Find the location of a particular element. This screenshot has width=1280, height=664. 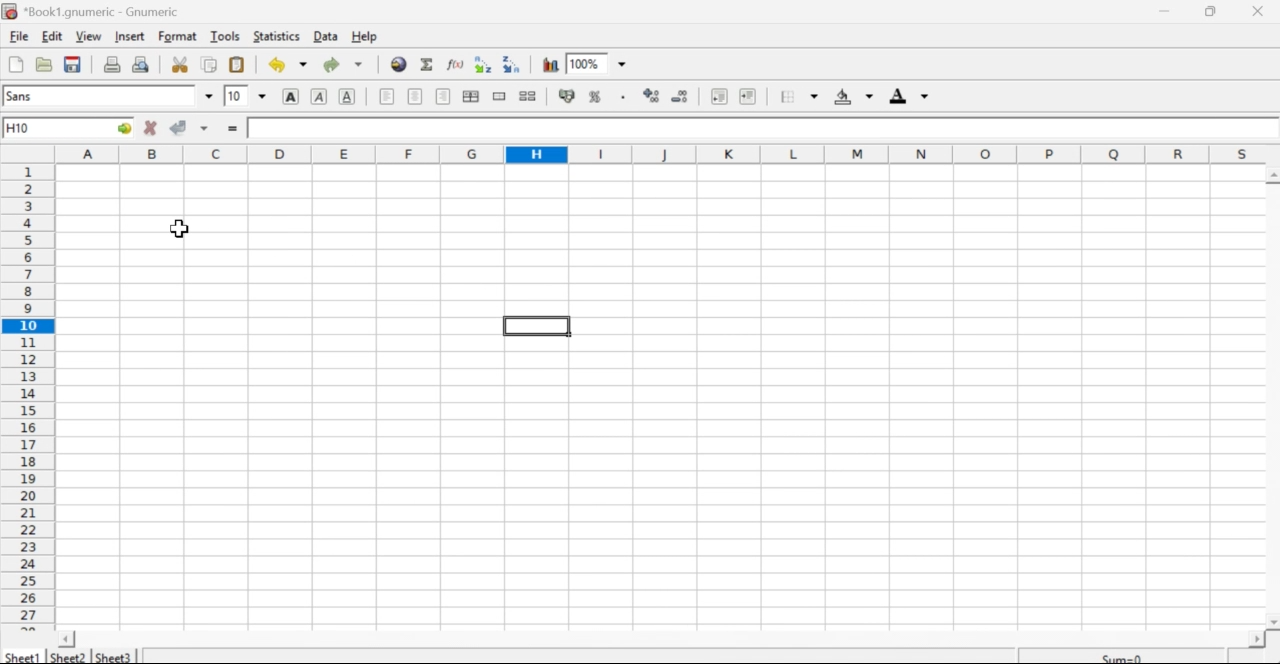

Center horizontally is located at coordinates (416, 97).